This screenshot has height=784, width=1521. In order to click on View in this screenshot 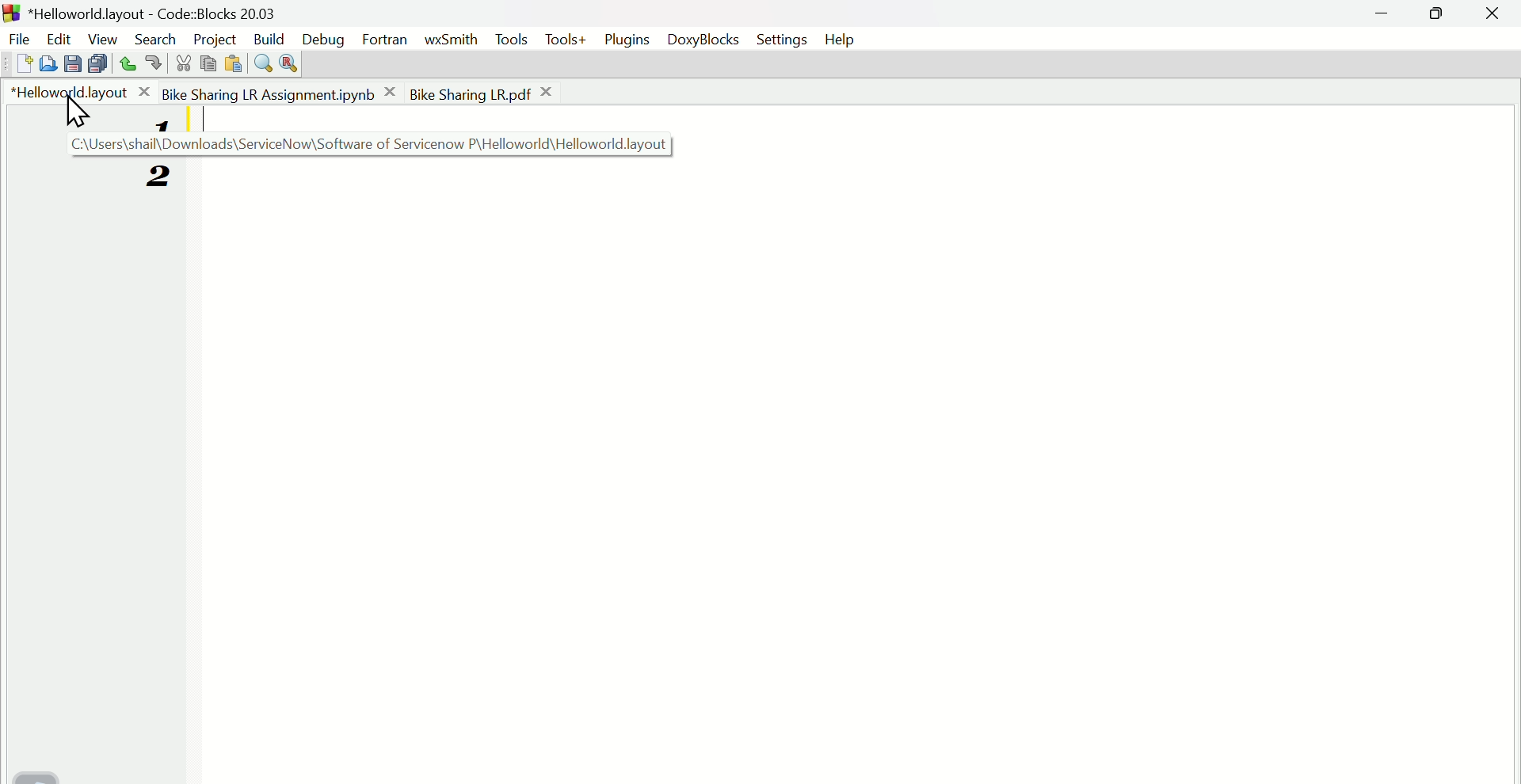, I will do `click(98, 36)`.